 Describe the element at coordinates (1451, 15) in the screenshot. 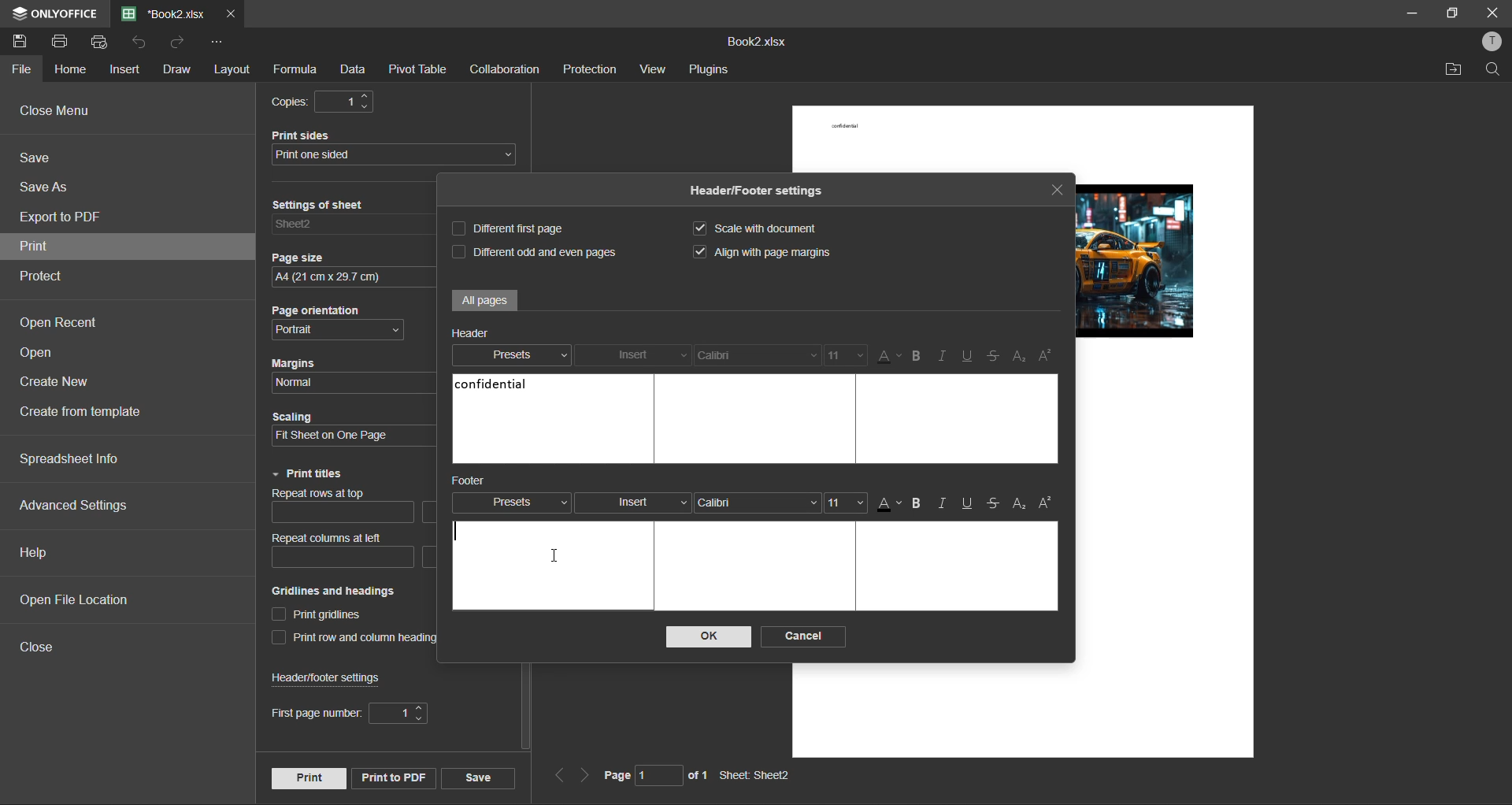

I see `maximize` at that location.